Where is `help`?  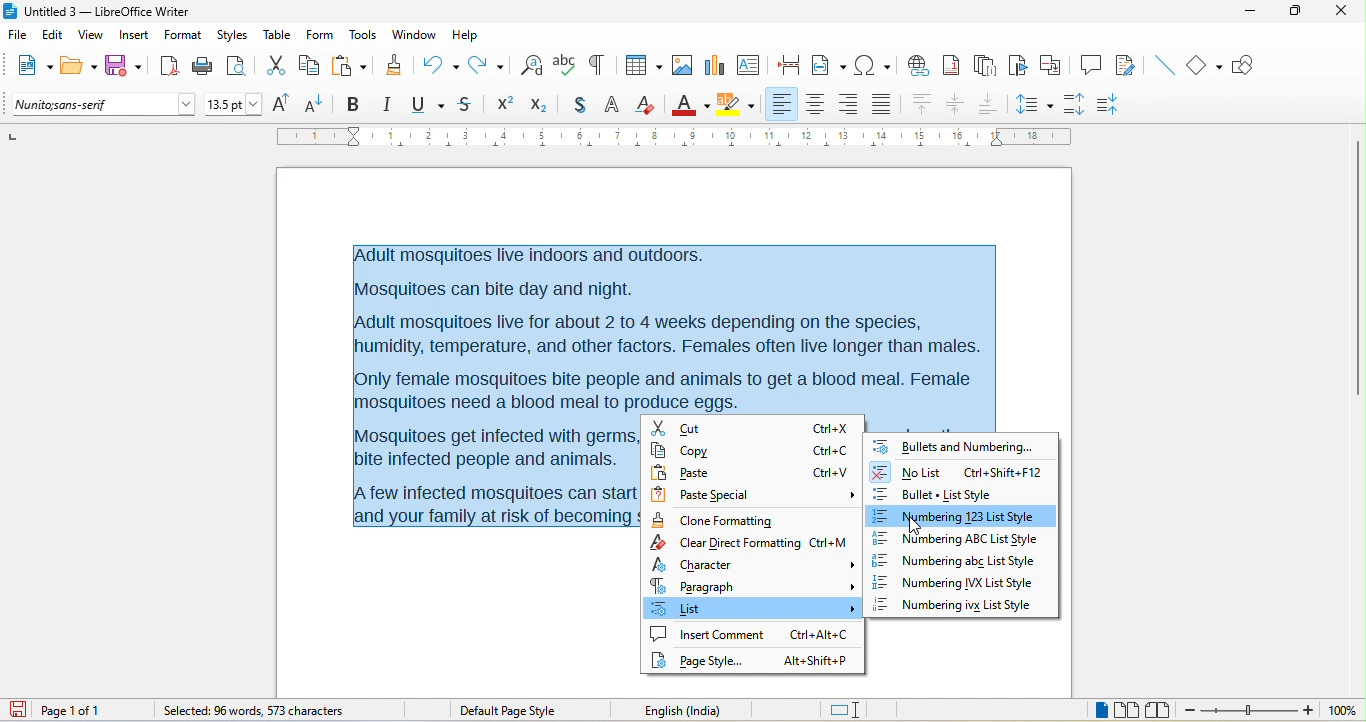
help is located at coordinates (468, 33).